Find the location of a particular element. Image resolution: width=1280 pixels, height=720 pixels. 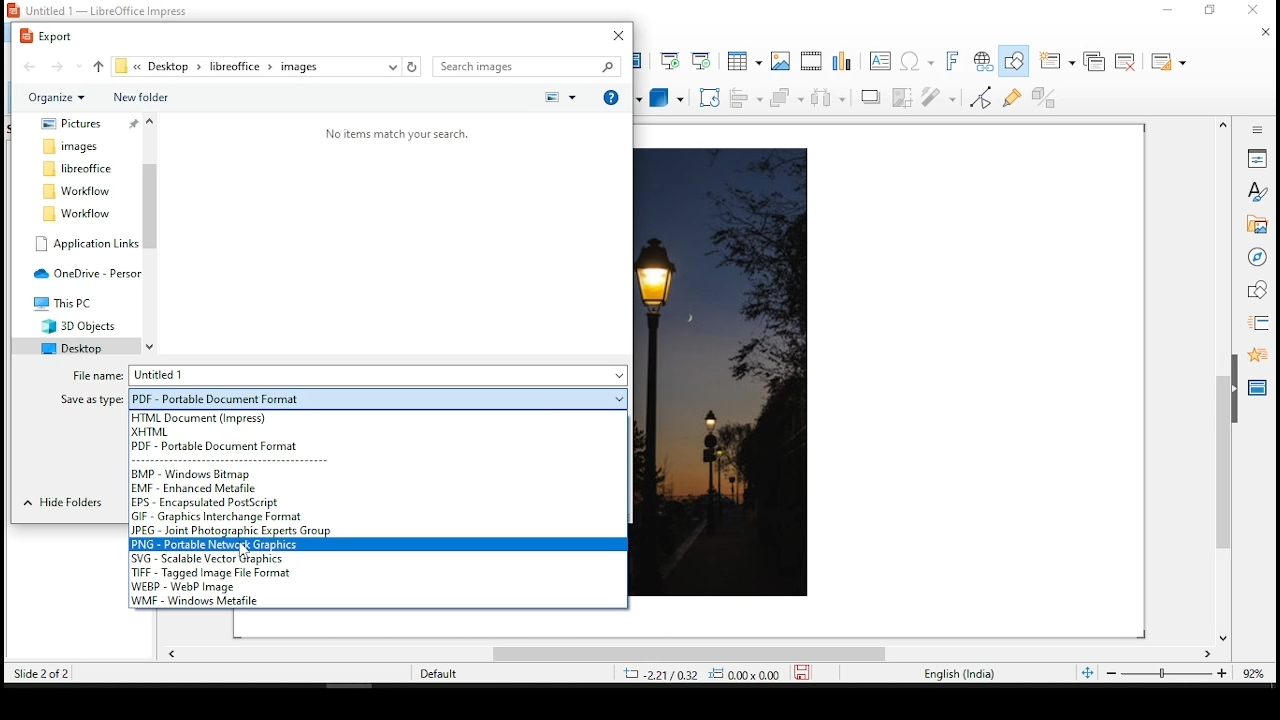

properties  is located at coordinates (1257, 157).